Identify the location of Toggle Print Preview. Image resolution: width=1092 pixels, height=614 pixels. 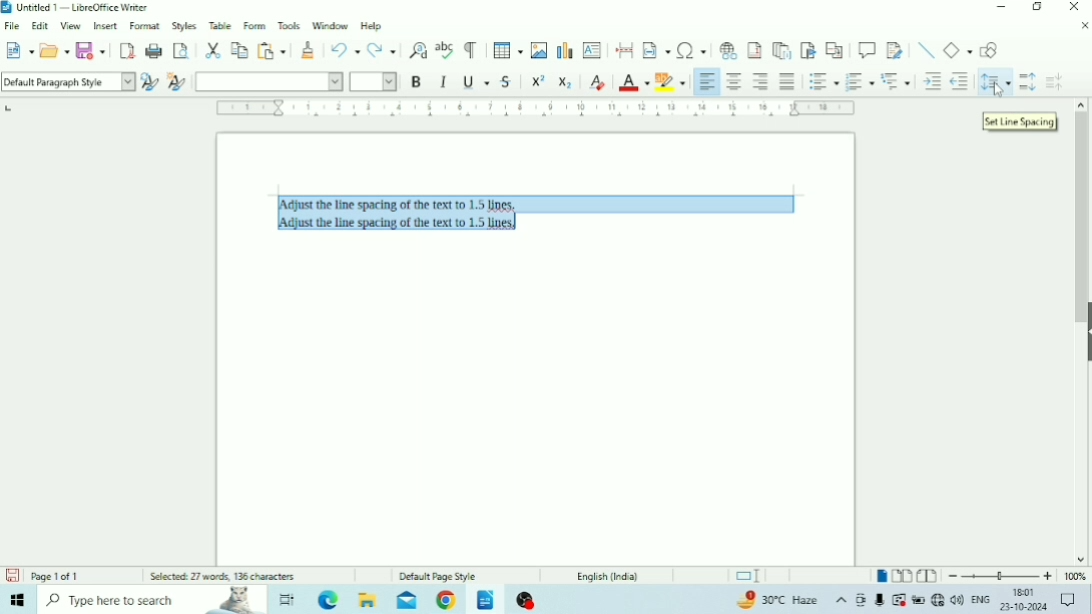
(183, 50).